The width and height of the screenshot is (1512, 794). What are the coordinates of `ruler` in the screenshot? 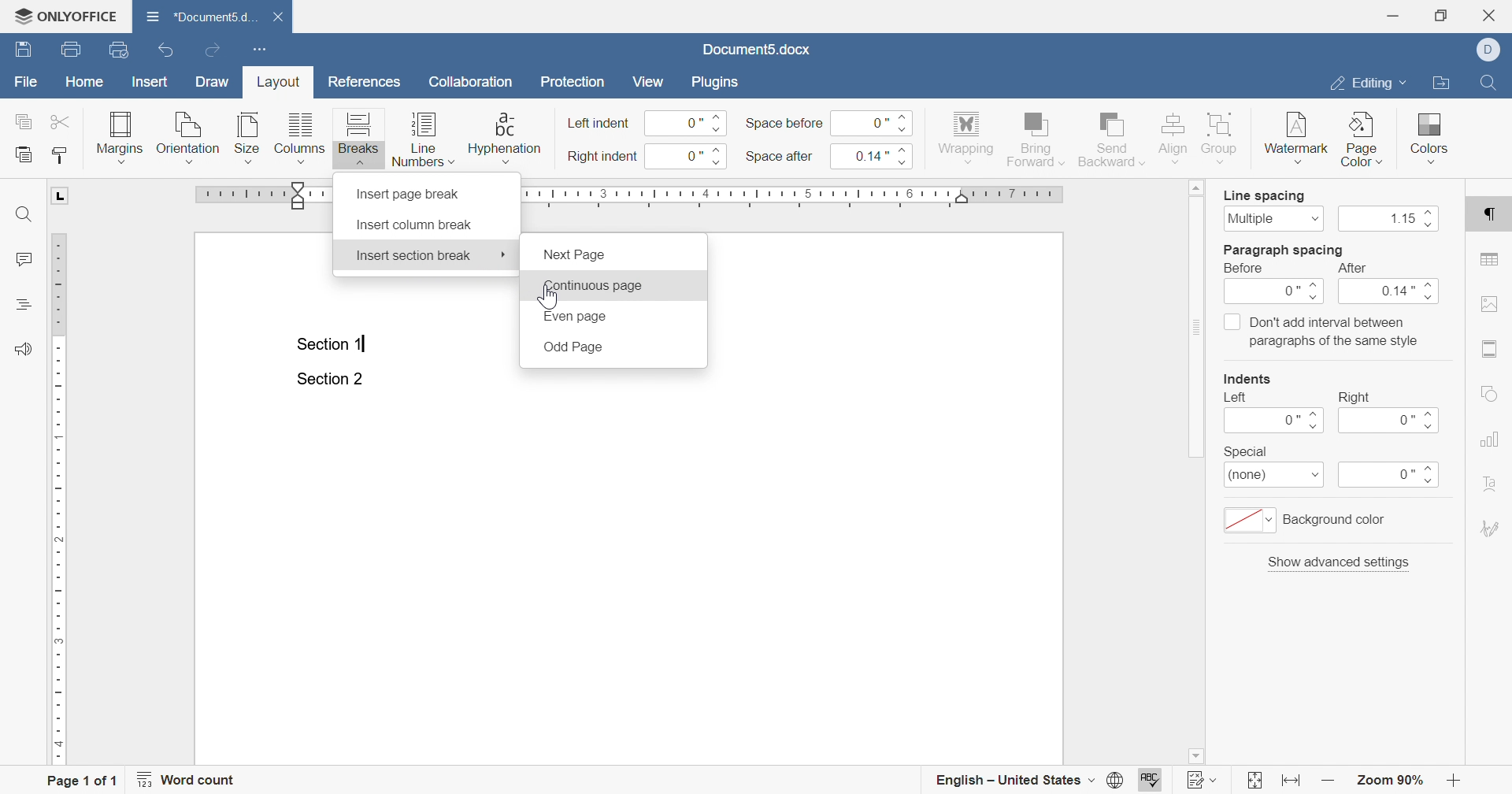 It's located at (60, 499).